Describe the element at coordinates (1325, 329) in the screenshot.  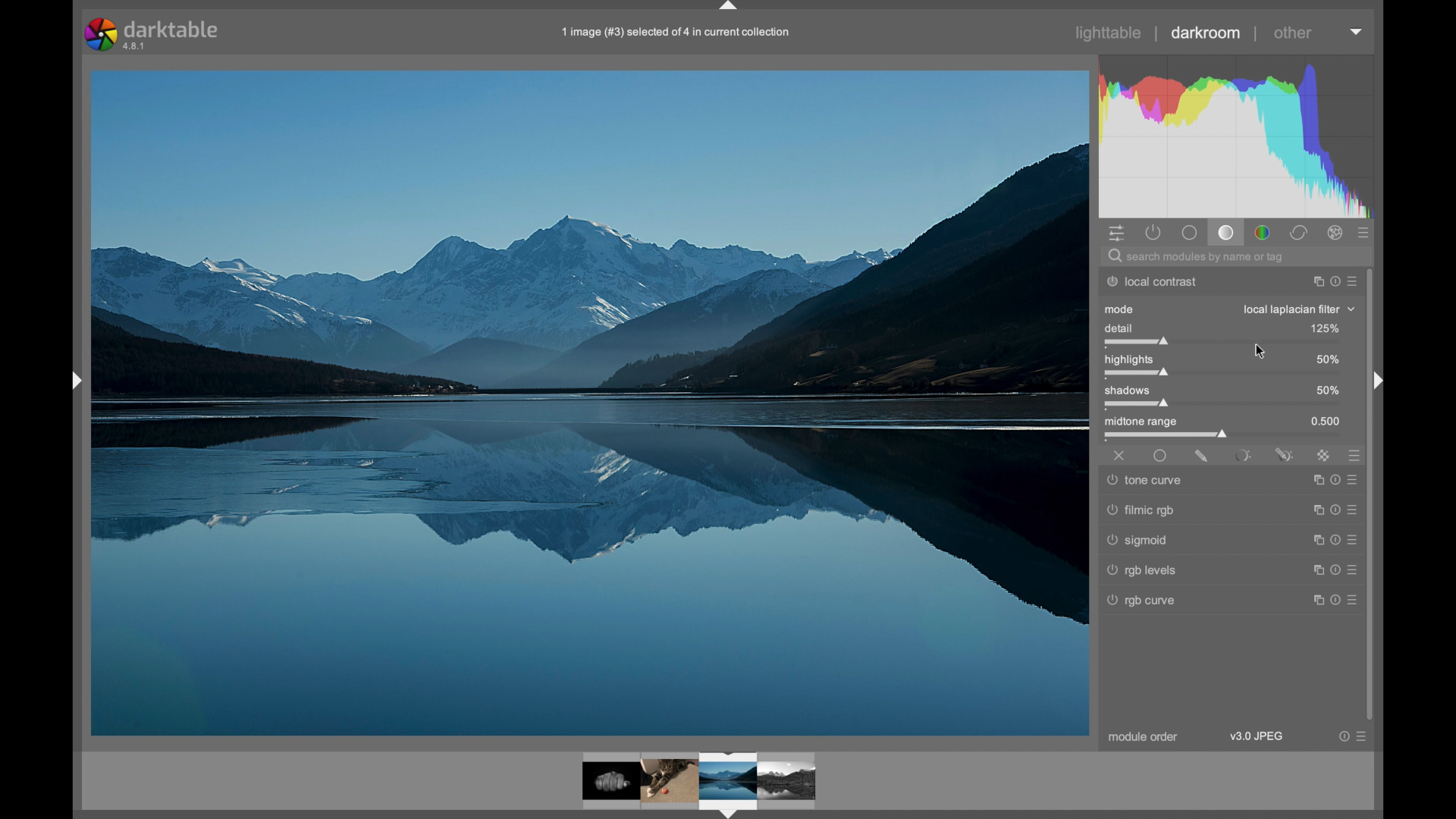
I see `125%` at that location.